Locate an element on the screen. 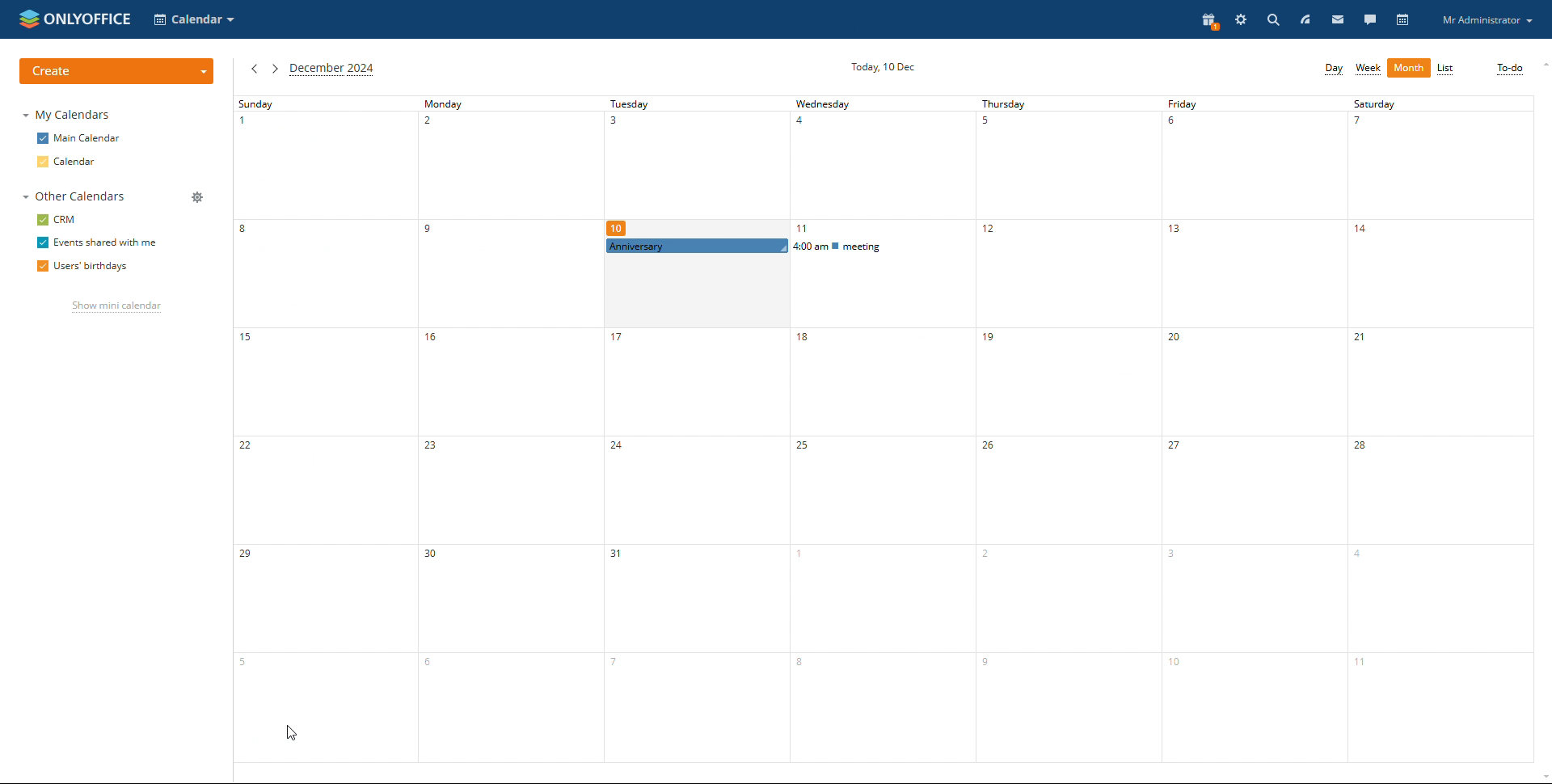 The width and height of the screenshot is (1552, 784). settings is located at coordinates (1242, 19).